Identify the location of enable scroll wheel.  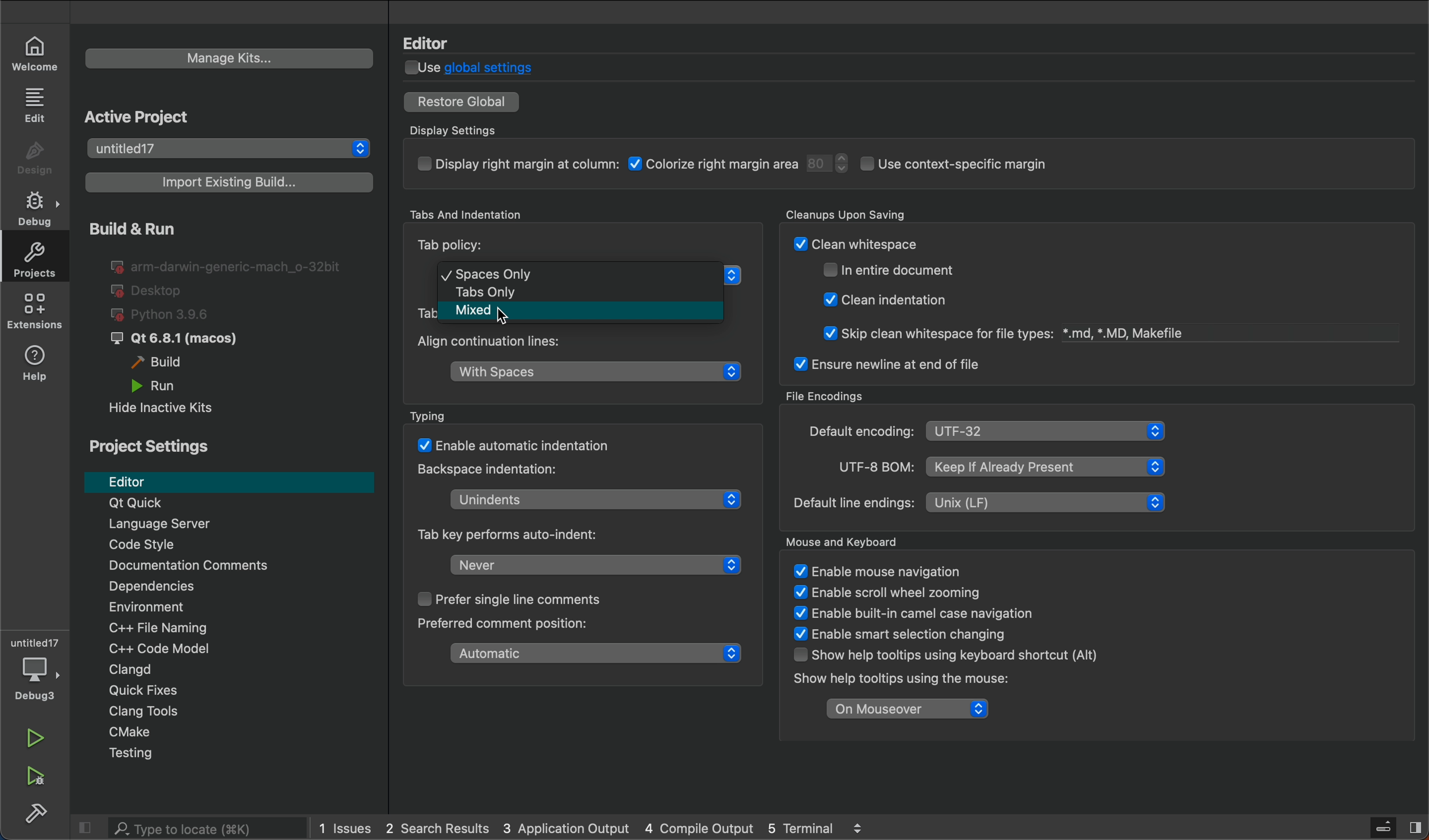
(891, 593).